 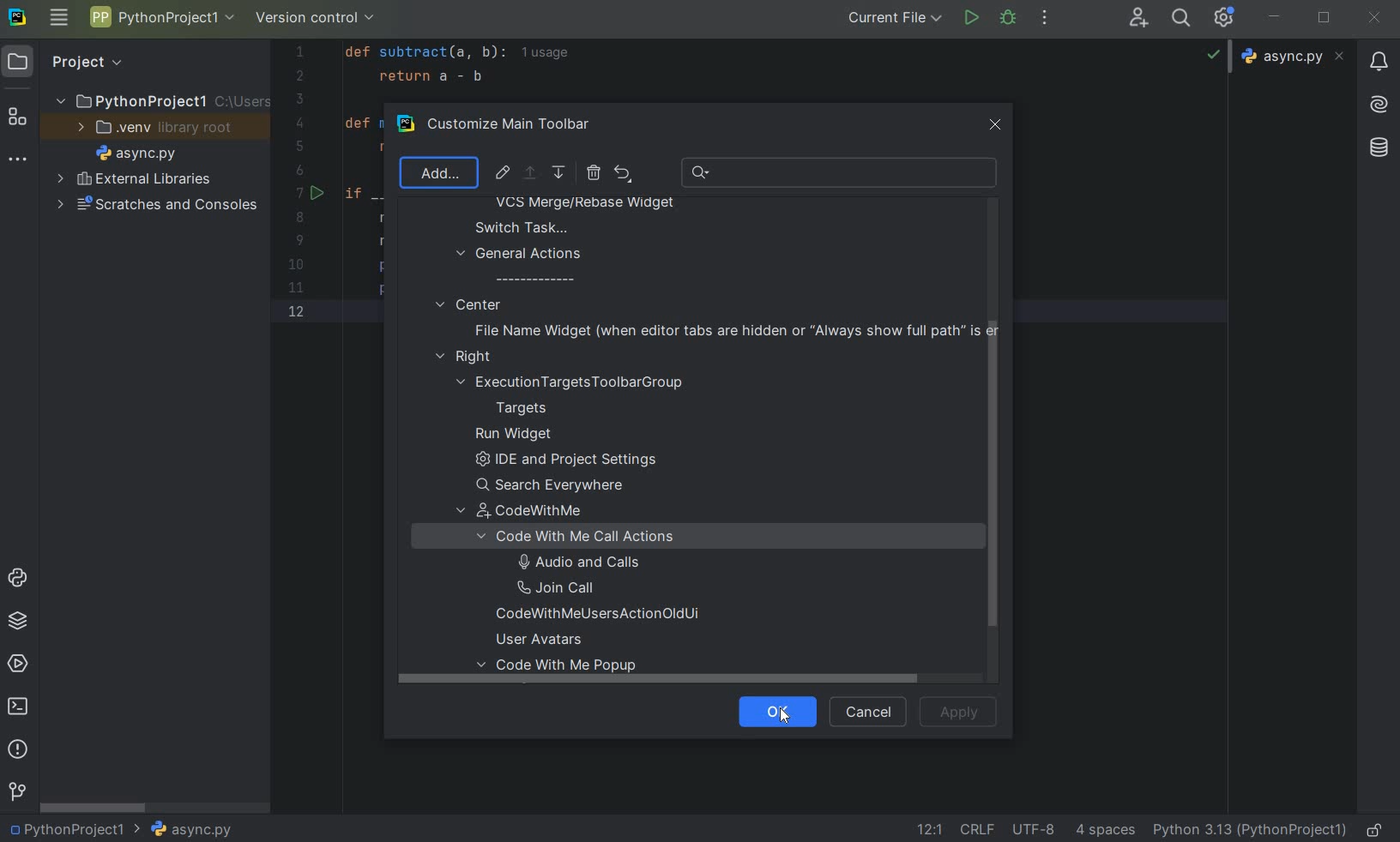 I want to click on PROJECT NAME, so click(x=75, y=827).